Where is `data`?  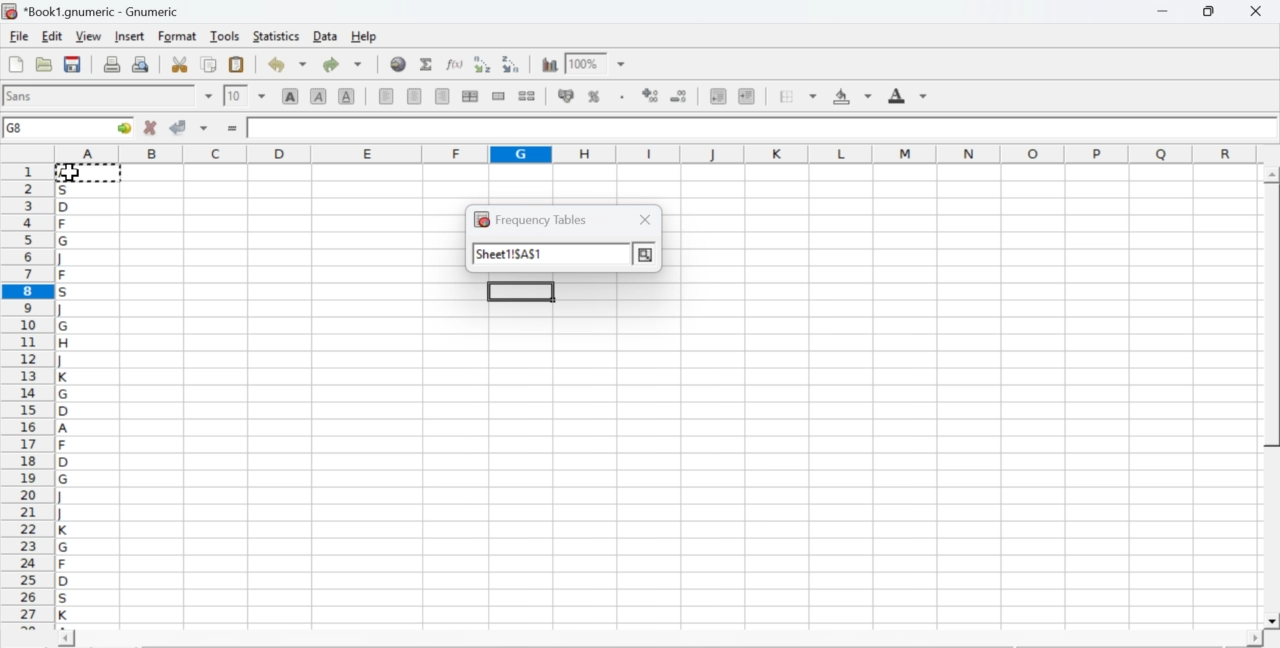 data is located at coordinates (327, 35).